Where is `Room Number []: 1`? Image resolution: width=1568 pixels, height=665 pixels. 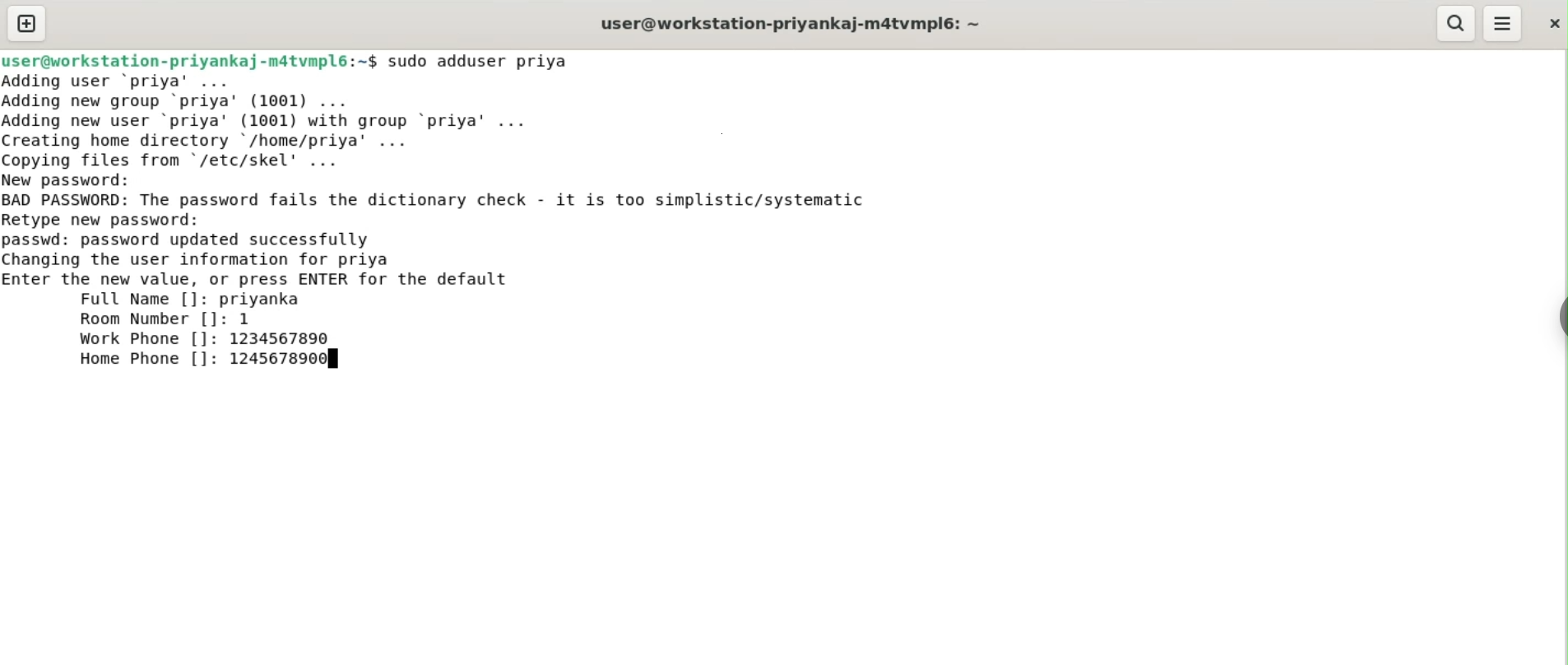
Room Number []: 1 is located at coordinates (165, 319).